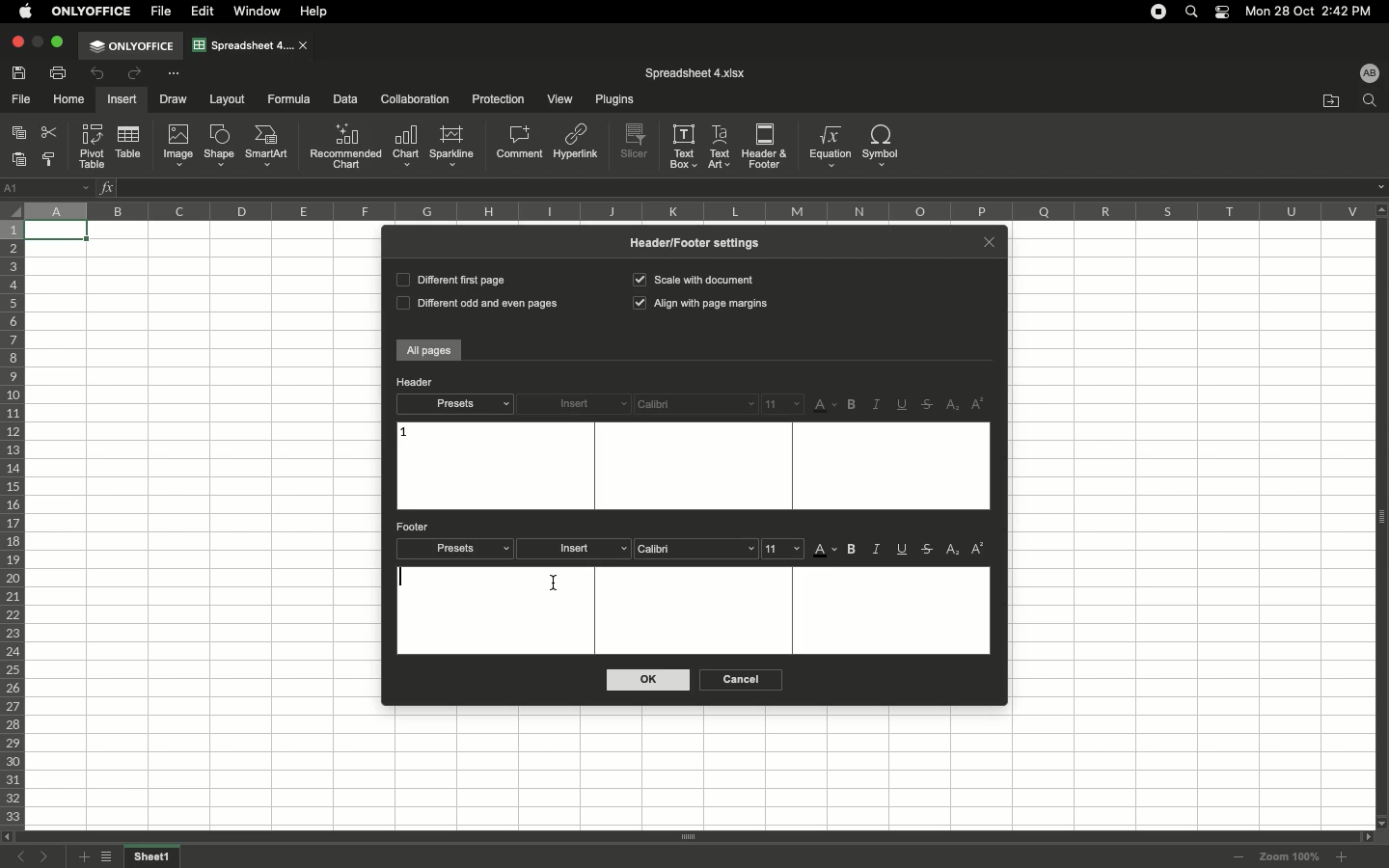 This screenshot has width=1389, height=868. What do you see at coordinates (449, 279) in the screenshot?
I see `Different first page` at bounding box center [449, 279].